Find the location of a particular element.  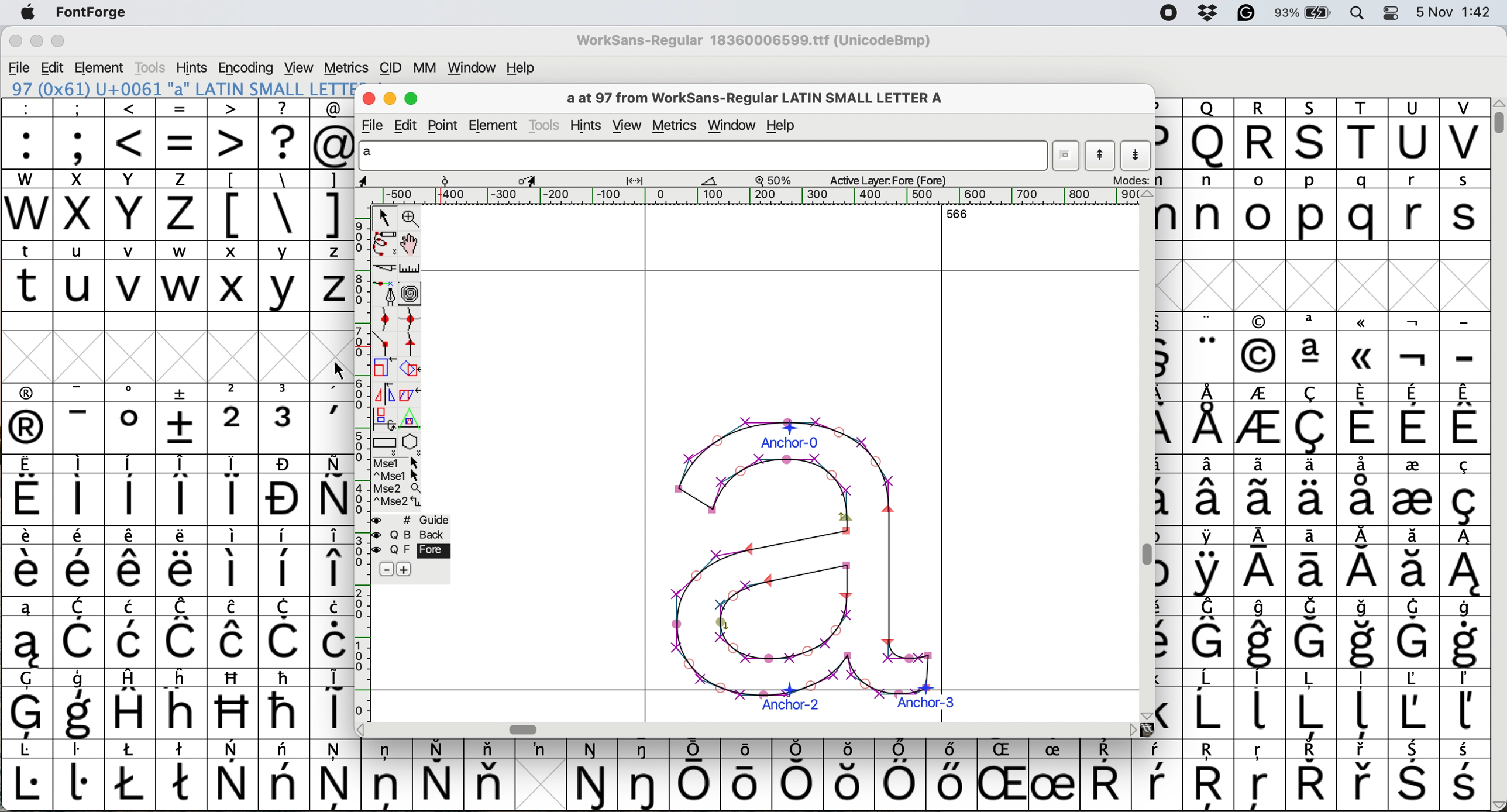

symbol is located at coordinates (593, 776).